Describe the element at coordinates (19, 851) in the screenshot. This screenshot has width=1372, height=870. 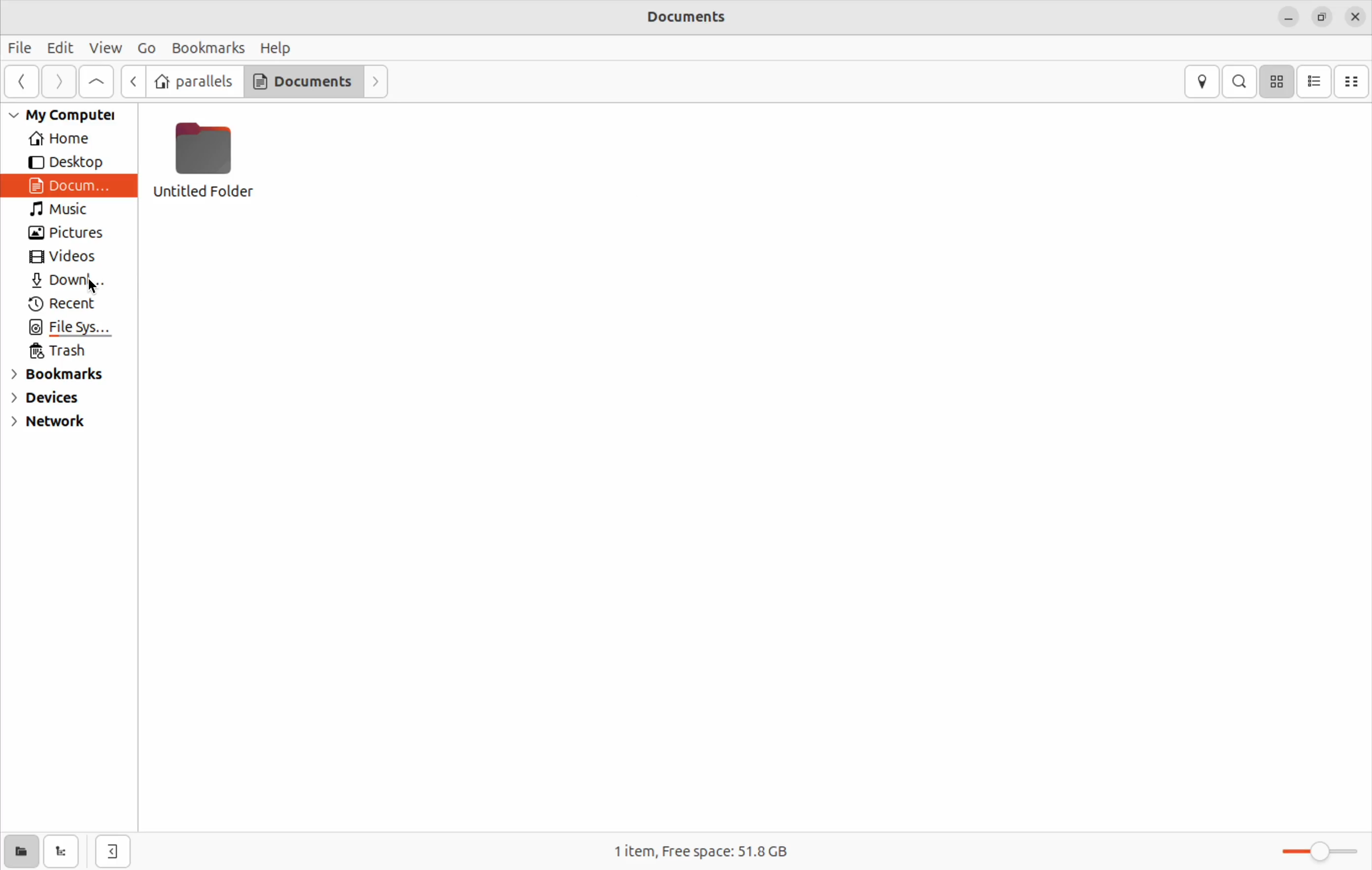
I see `show places` at that location.